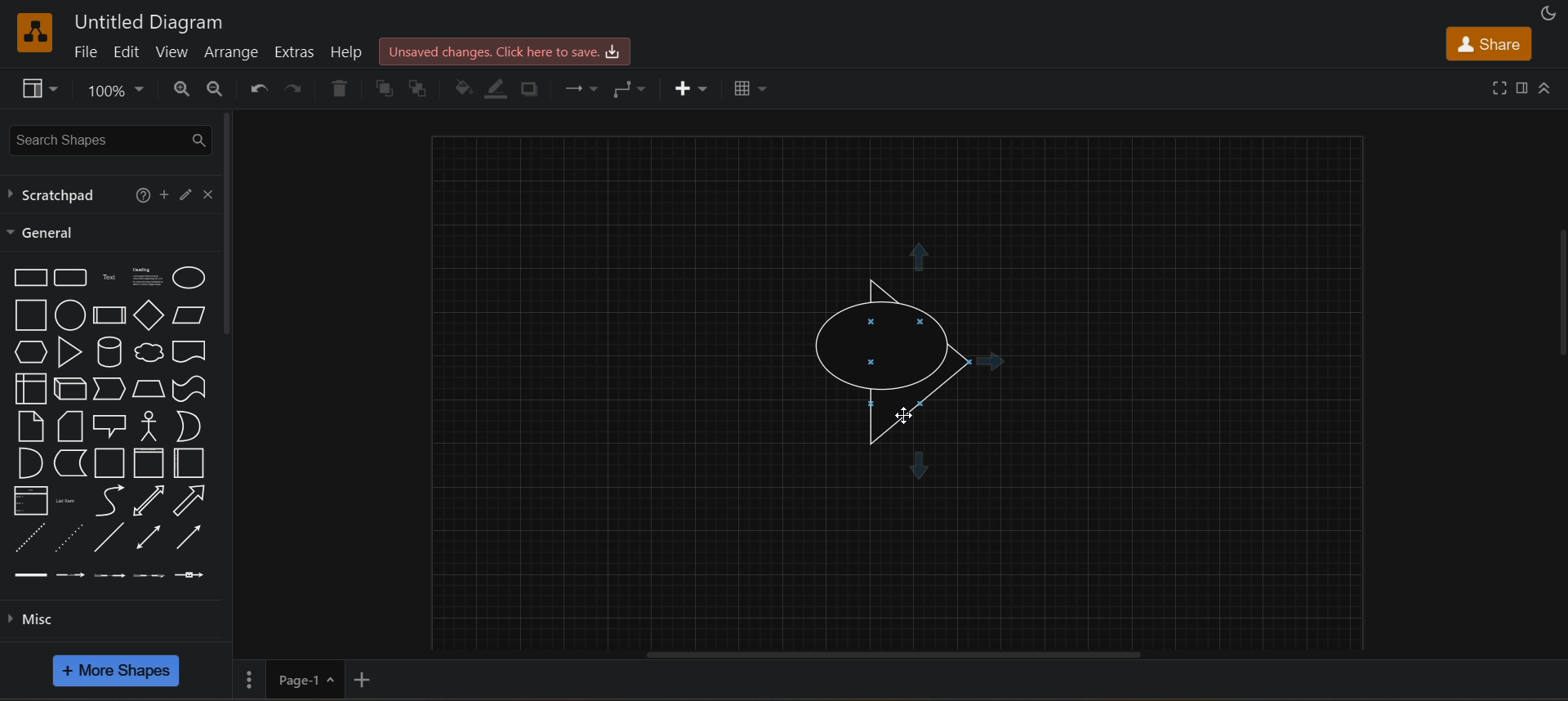 The image size is (1568, 701). I want to click on rectangle, so click(31, 278).